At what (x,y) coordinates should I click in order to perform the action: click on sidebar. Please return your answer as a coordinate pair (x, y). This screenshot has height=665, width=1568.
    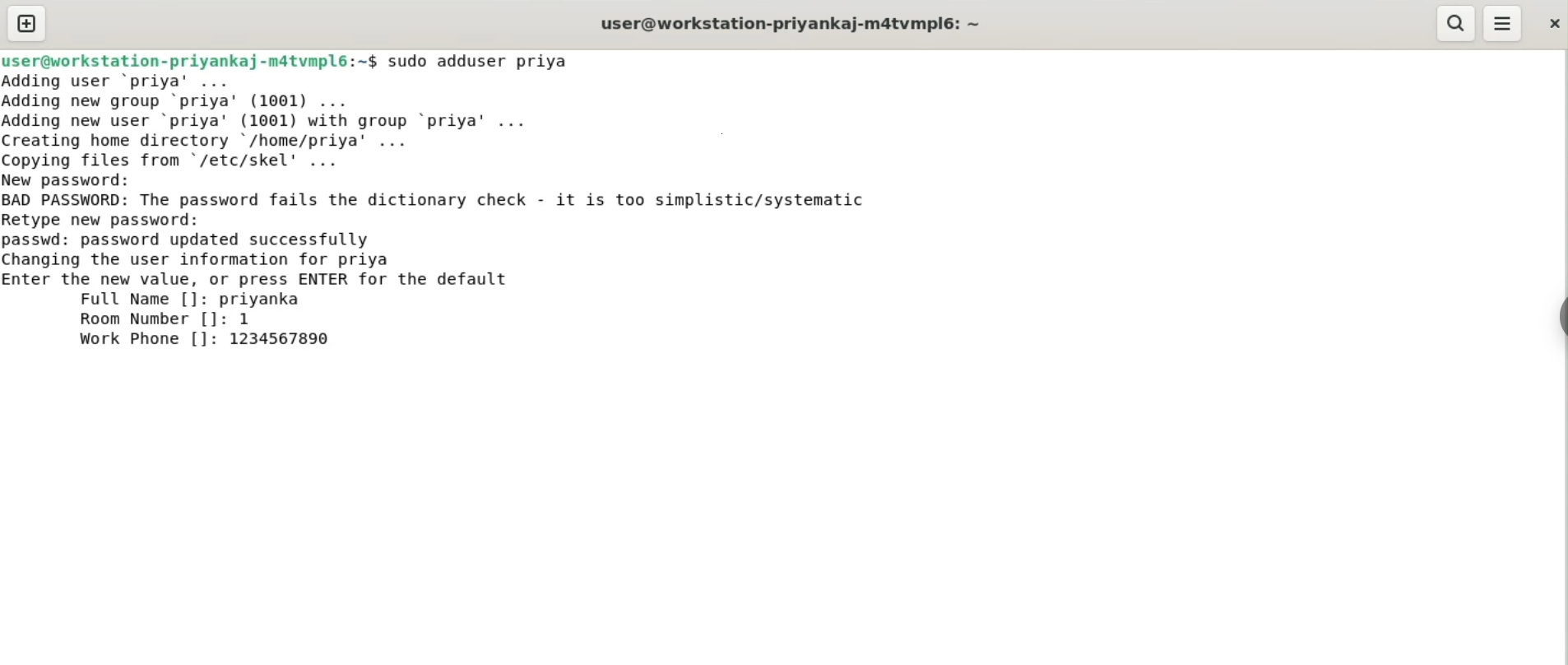
    Looking at the image, I should click on (1560, 318).